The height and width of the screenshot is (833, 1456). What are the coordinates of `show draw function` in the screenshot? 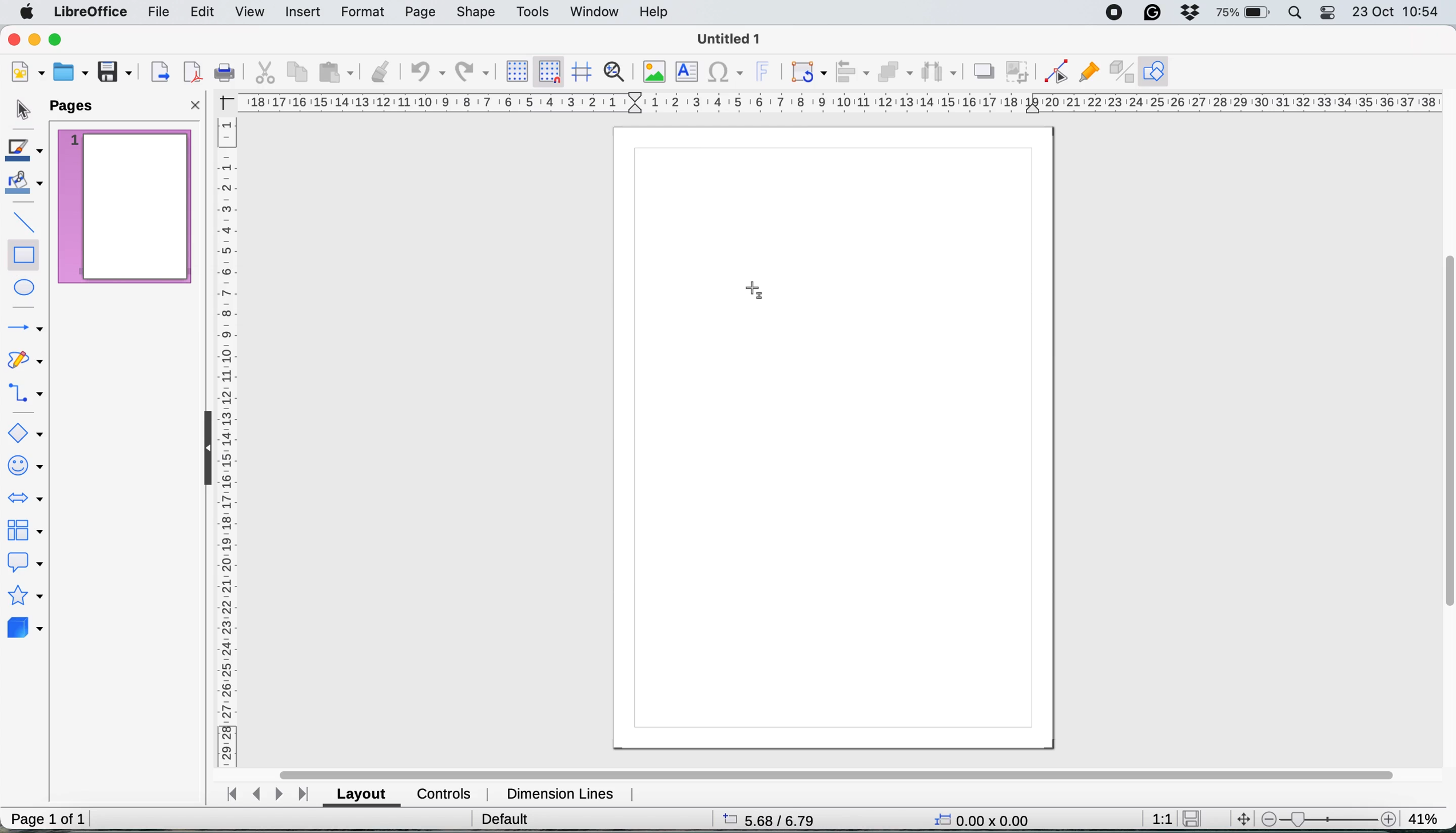 It's located at (1156, 70).